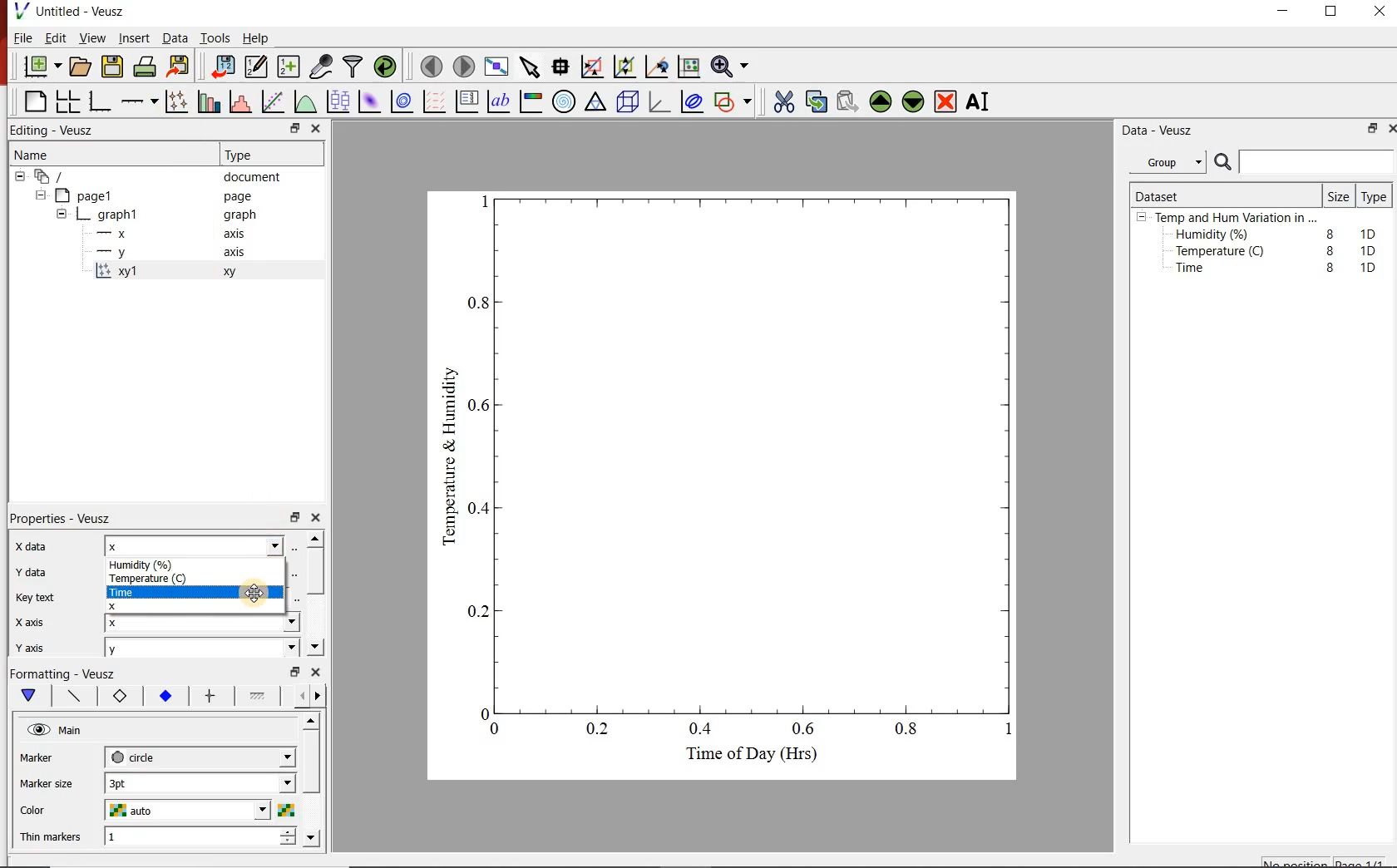 Image resolution: width=1397 pixels, height=868 pixels. Describe the element at coordinates (53, 838) in the screenshot. I see `Thin Markers` at that location.